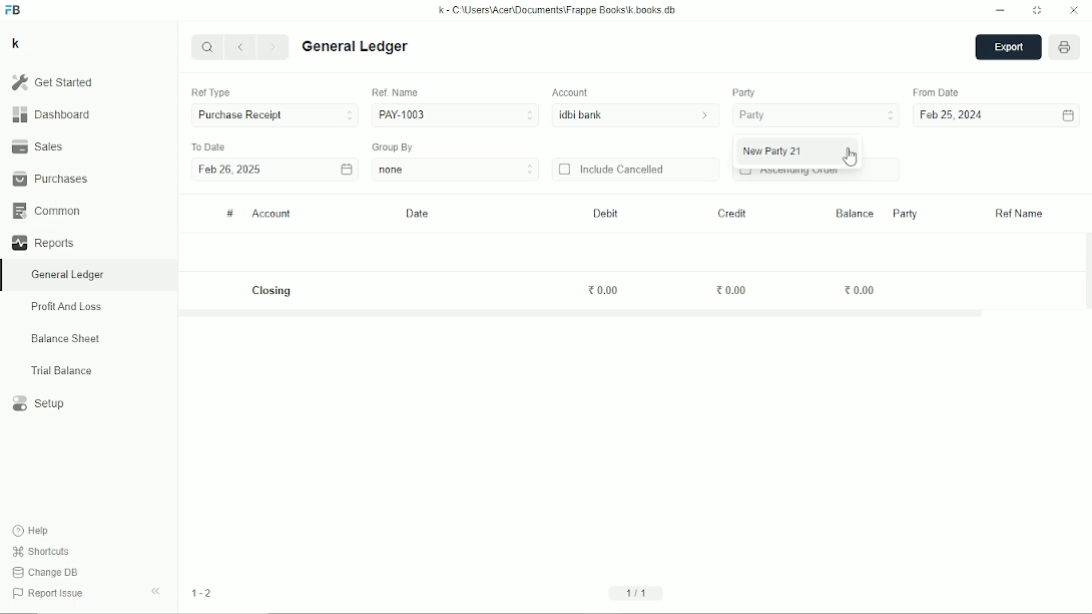 This screenshot has height=614, width=1092. What do you see at coordinates (1037, 11) in the screenshot?
I see `Toggle between form and full width` at bounding box center [1037, 11].